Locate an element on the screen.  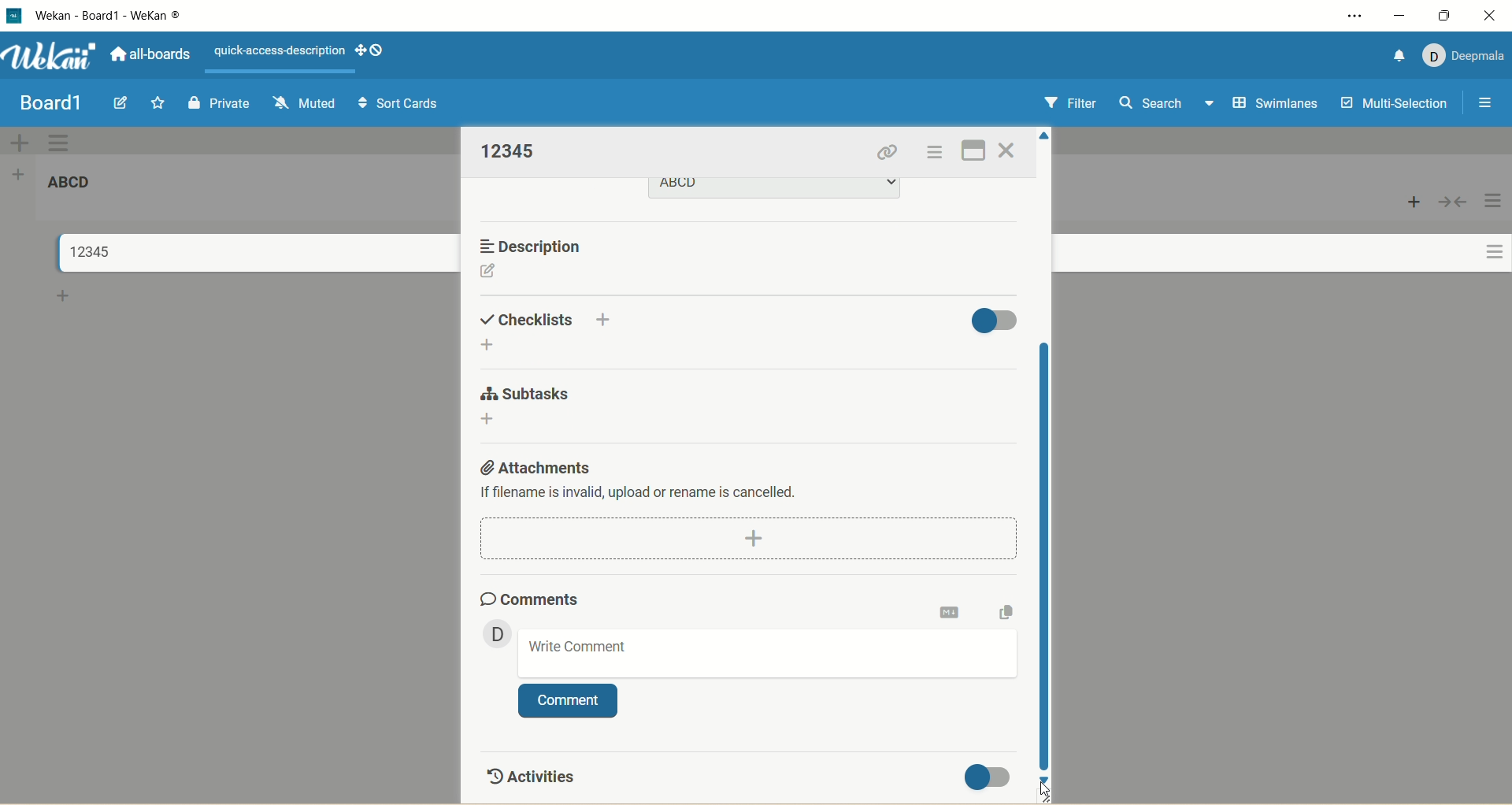
member is located at coordinates (492, 632).